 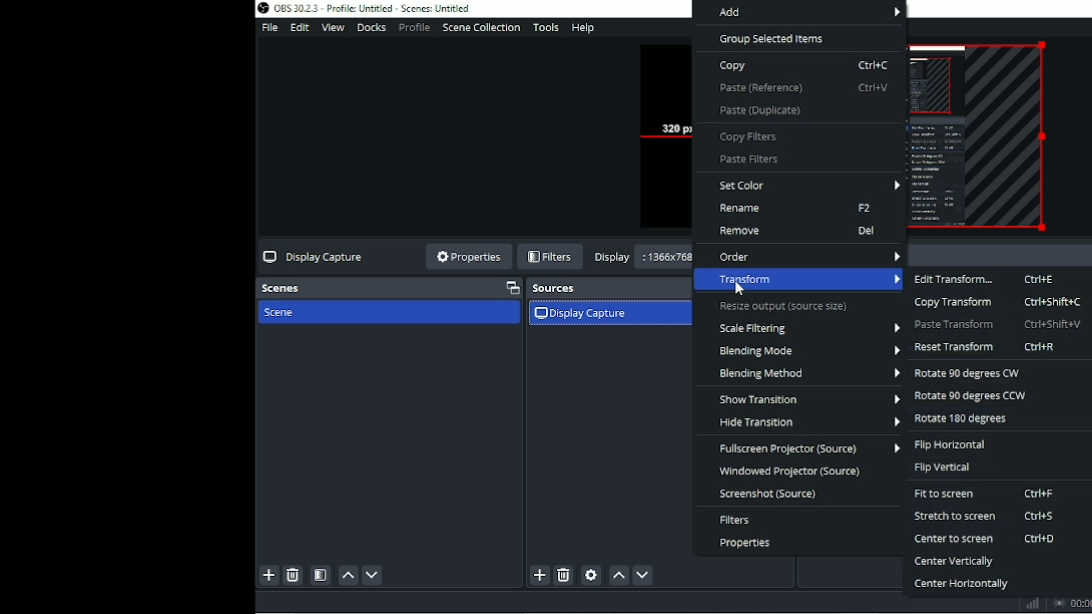 What do you see at coordinates (955, 562) in the screenshot?
I see `Center vertically` at bounding box center [955, 562].